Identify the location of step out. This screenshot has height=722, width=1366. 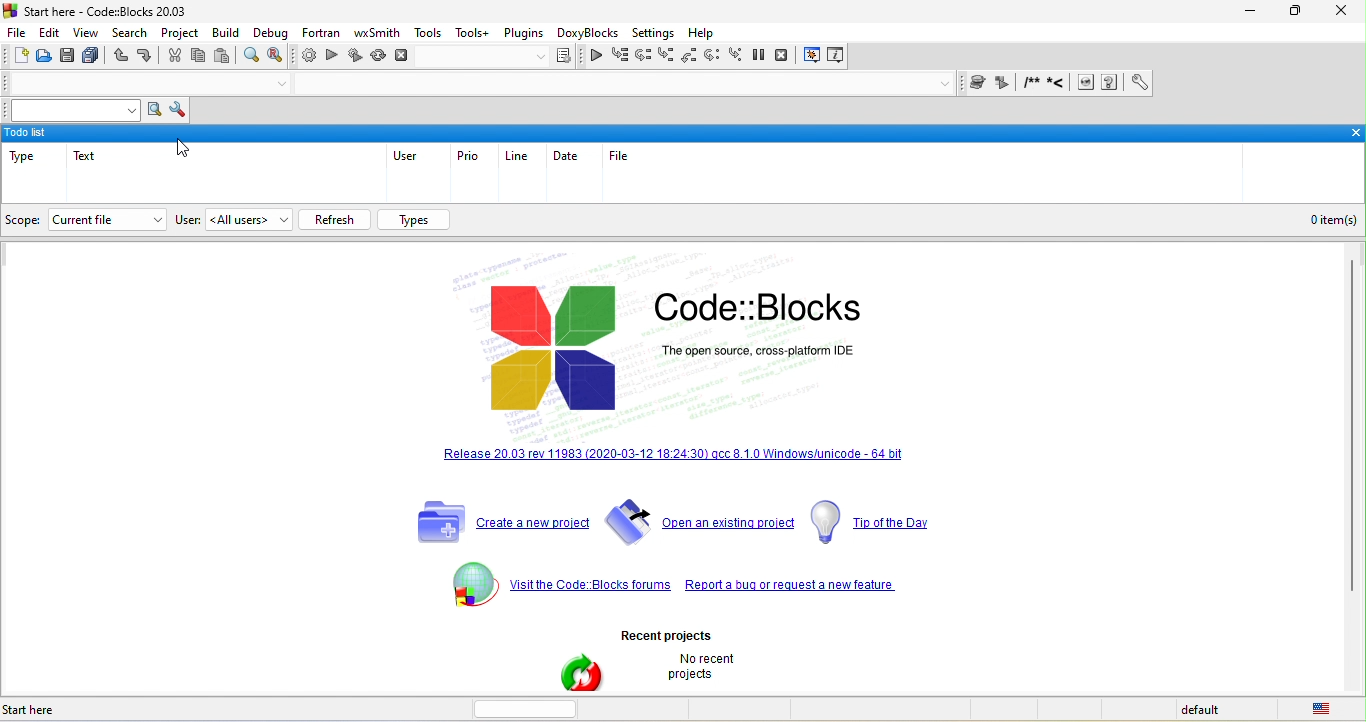
(691, 57).